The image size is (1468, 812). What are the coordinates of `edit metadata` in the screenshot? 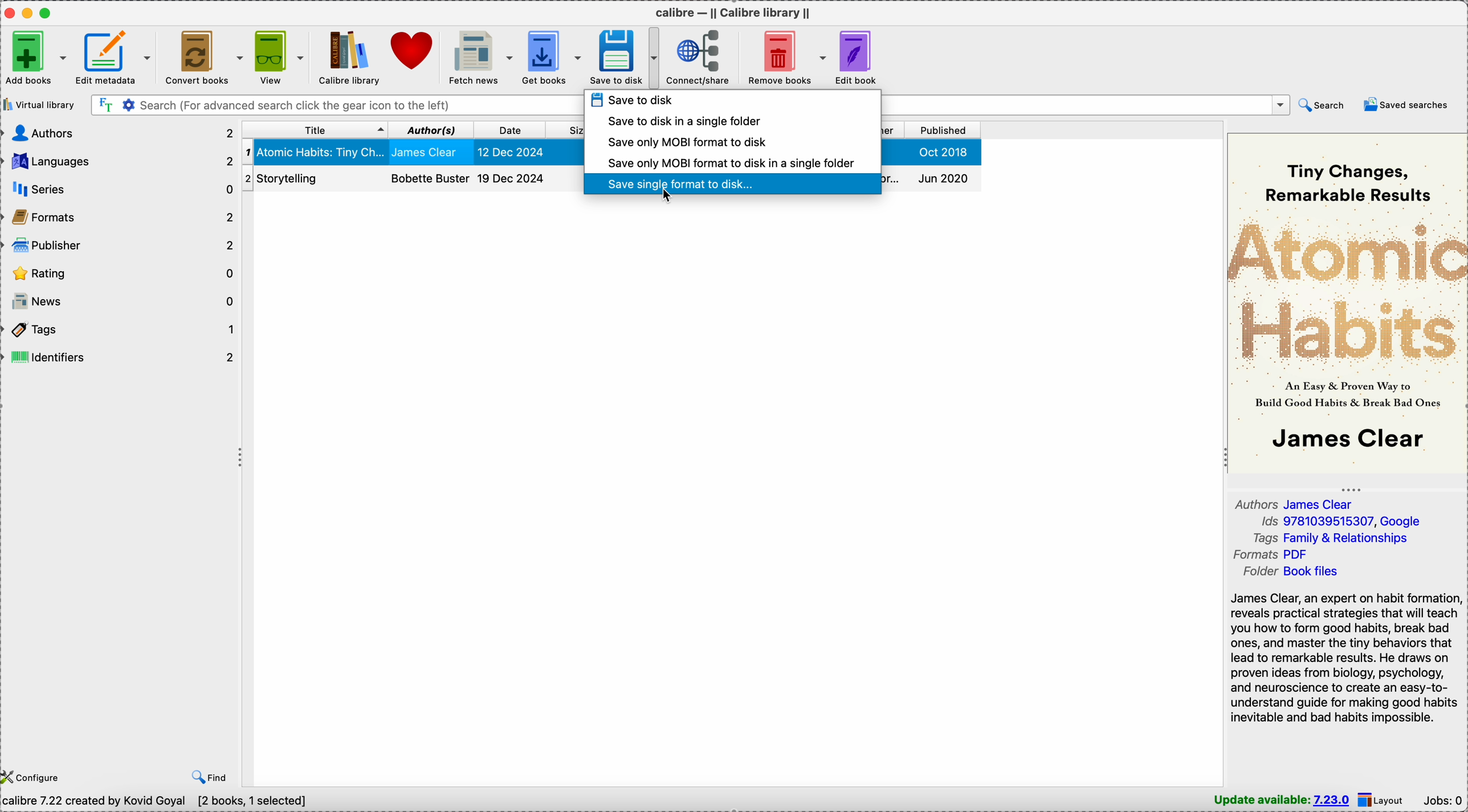 It's located at (119, 58).